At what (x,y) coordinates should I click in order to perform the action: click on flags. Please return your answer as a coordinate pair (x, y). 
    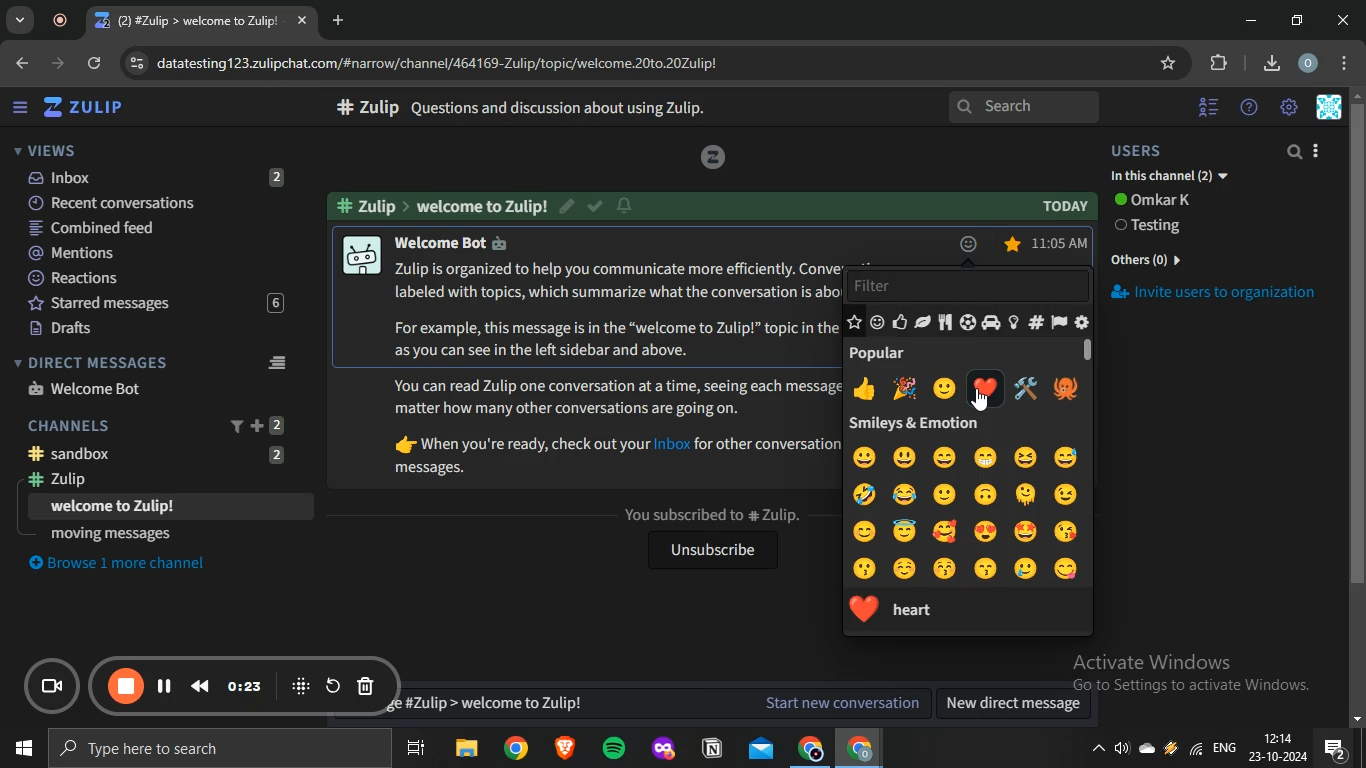
    Looking at the image, I should click on (1056, 324).